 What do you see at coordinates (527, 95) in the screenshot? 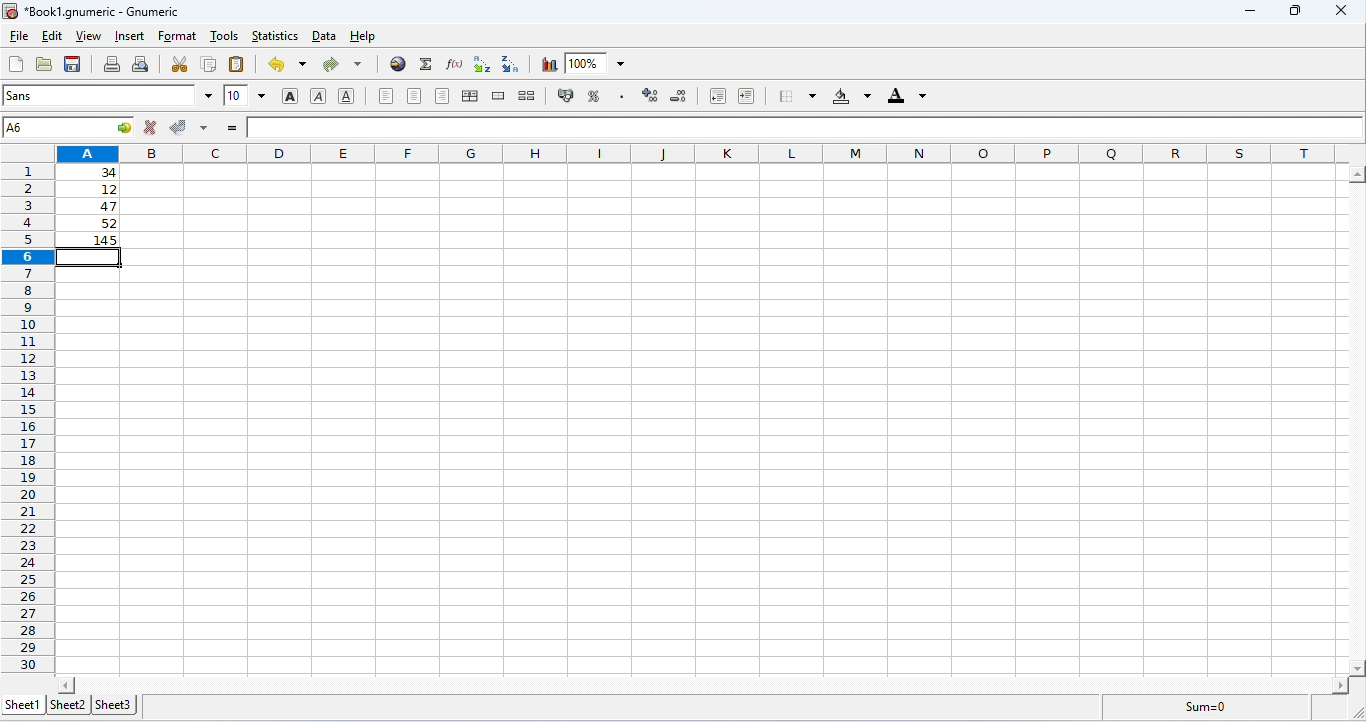
I see `split cells` at bounding box center [527, 95].